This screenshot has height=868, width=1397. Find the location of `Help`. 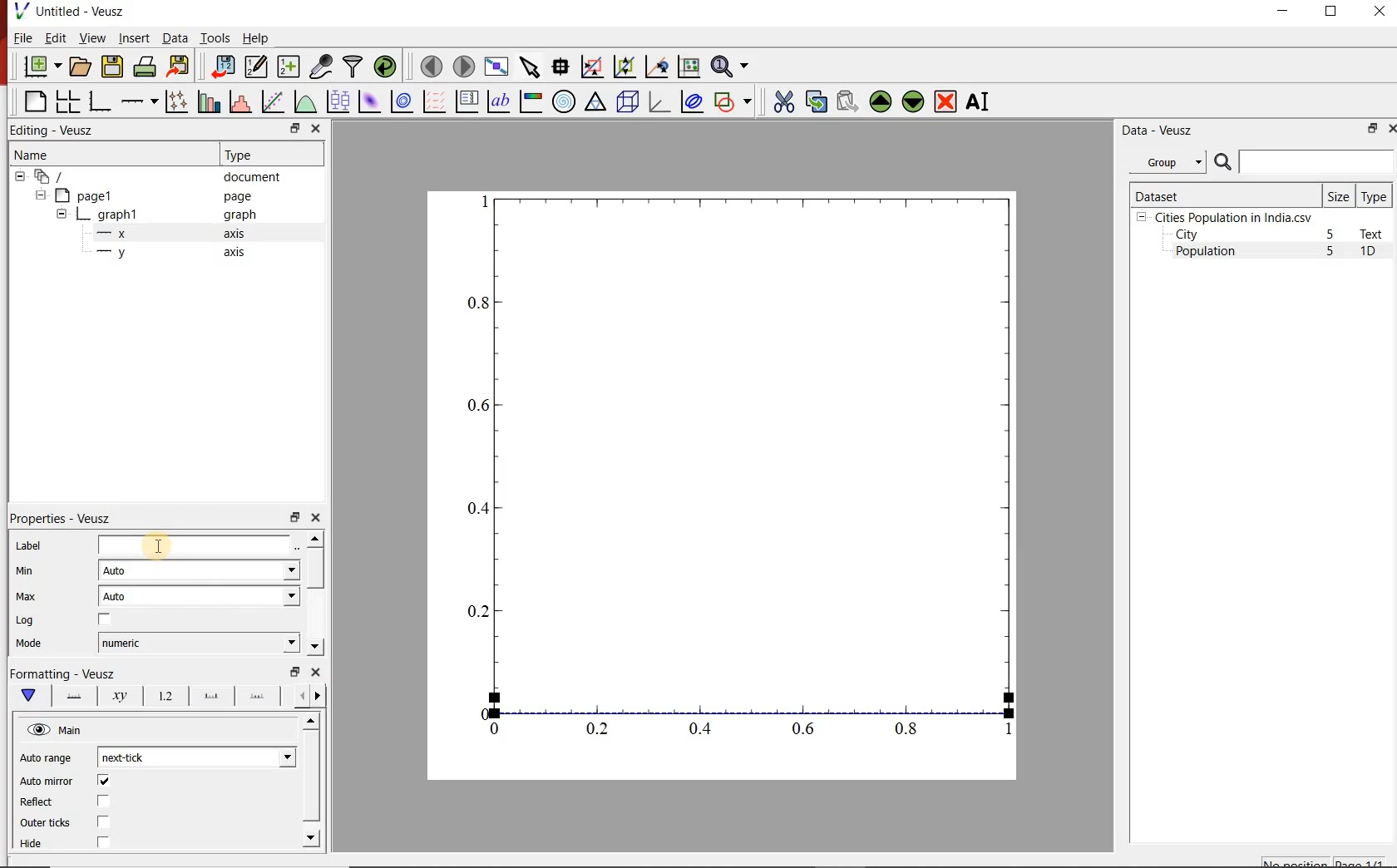

Help is located at coordinates (257, 37).